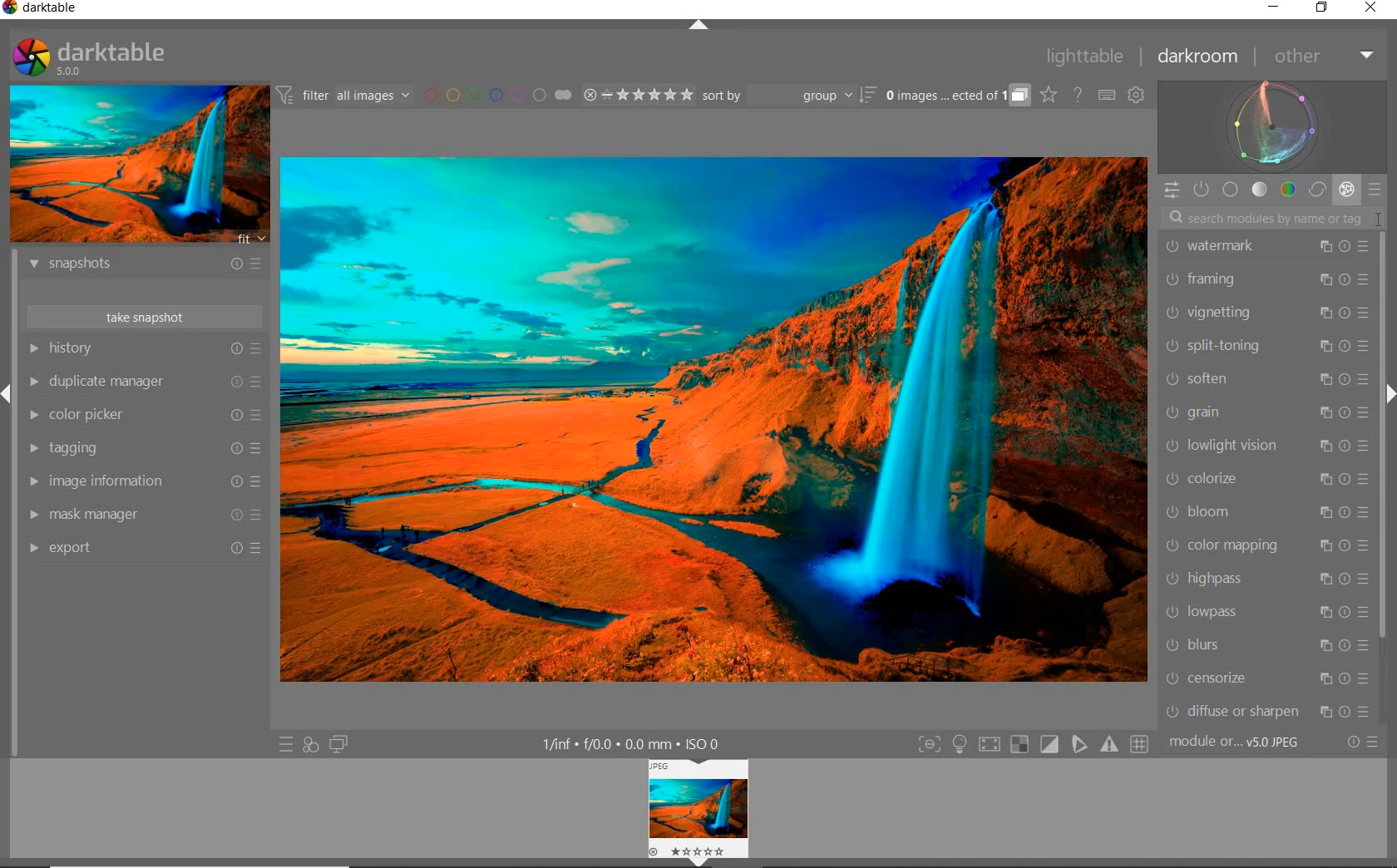 The width and height of the screenshot is (1397, 868). Describe the element at coordinates (1320, 56) in the screenshot. I see `other` at that location.